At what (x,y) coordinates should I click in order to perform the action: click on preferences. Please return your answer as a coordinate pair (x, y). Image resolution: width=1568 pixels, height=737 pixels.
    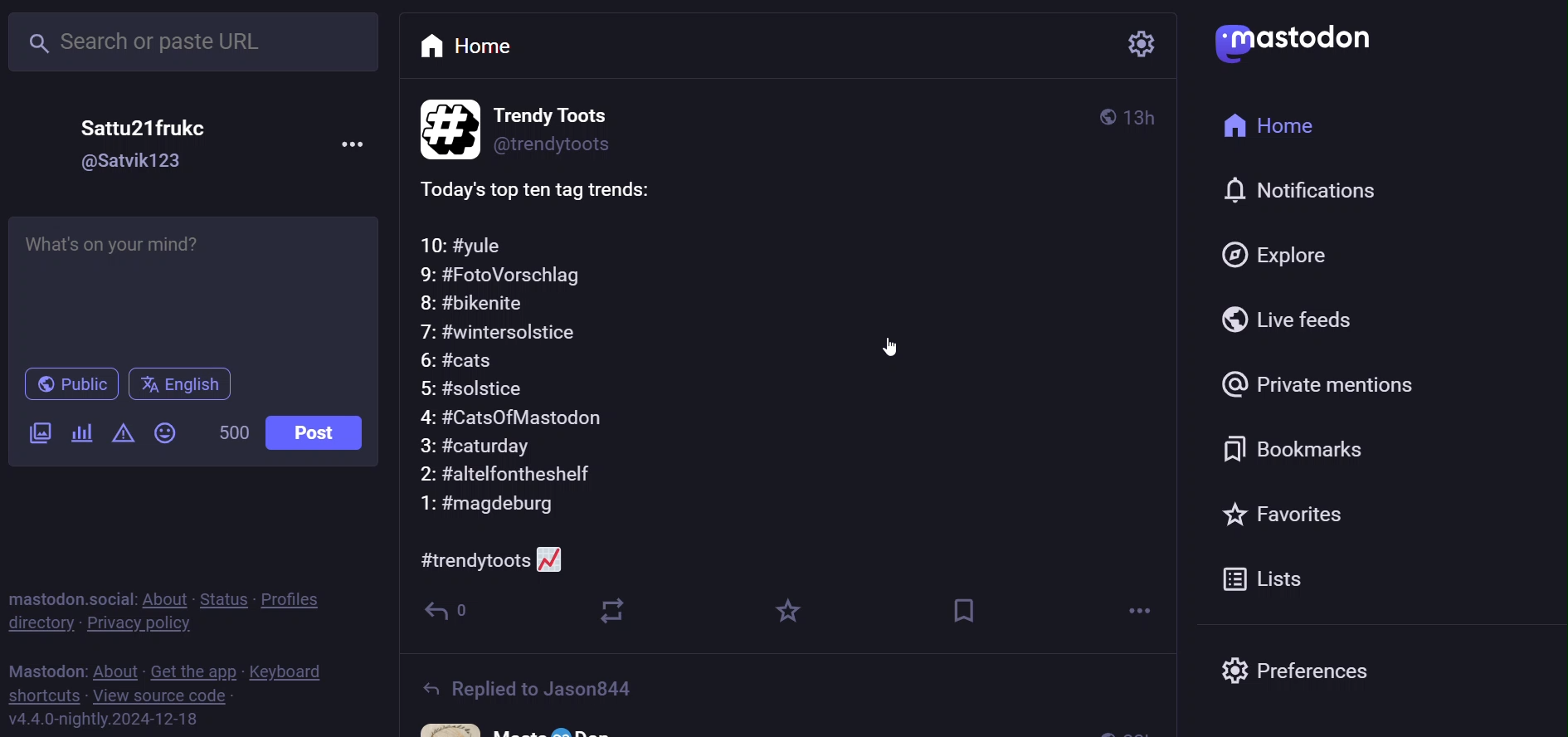
    Looking at the image, I should click on (1298, 673).